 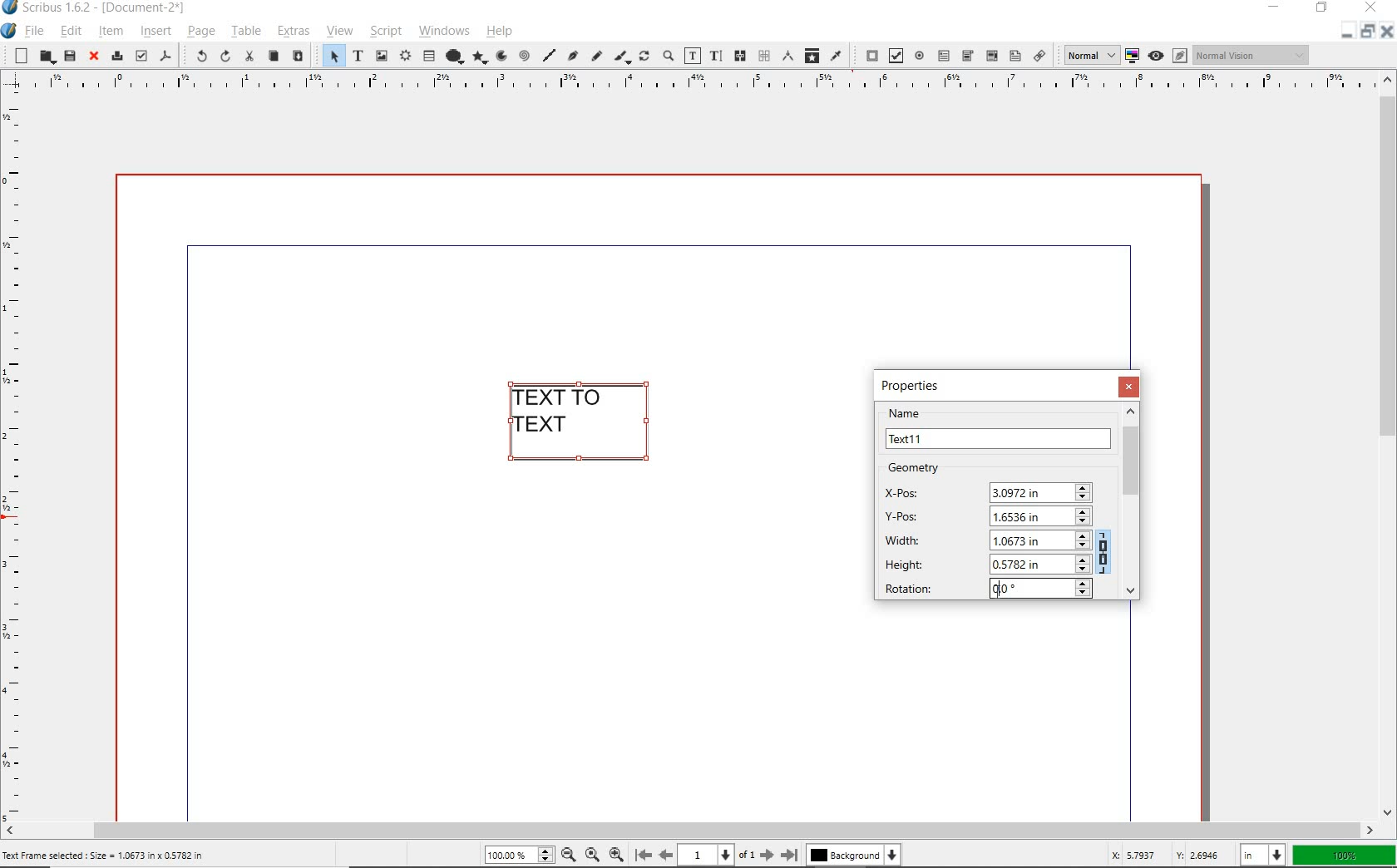 I want to click on link text frames, so click(x=740, y=56).